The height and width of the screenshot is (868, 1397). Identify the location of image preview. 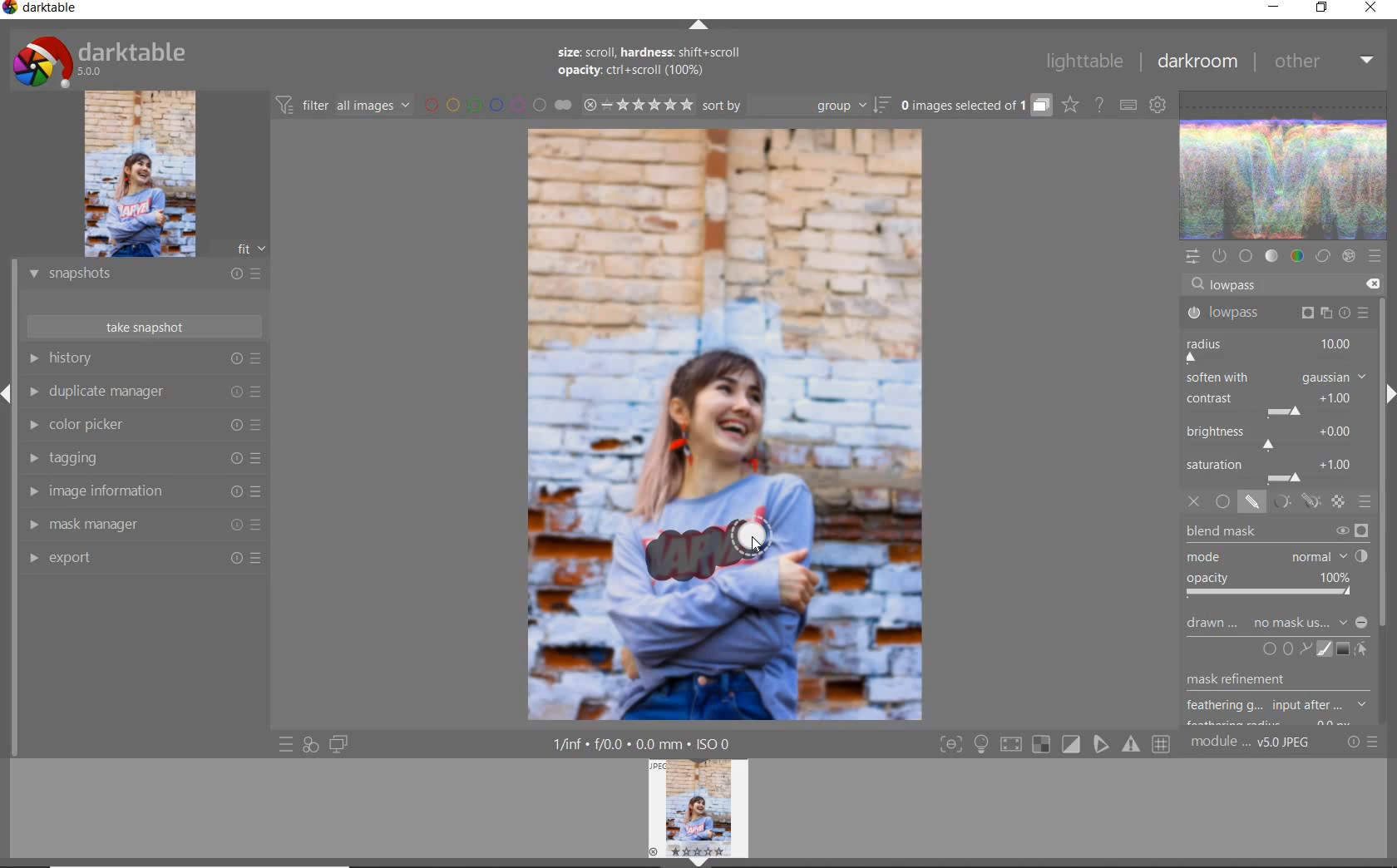
(163, 173).